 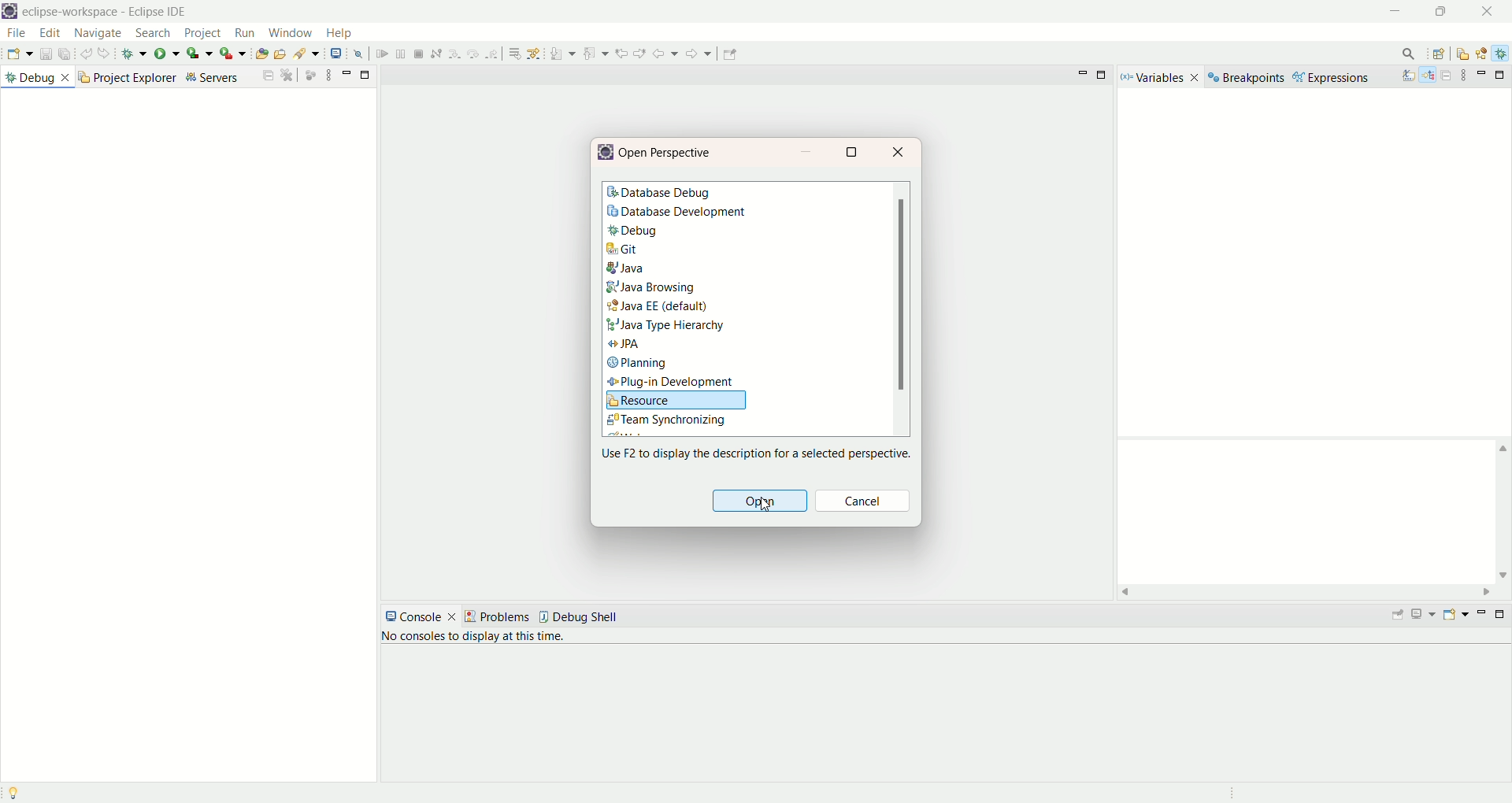 What do you see at coordinates (668, 153) in the screenshot?
I see `open perspective` at bounding box center [668, 153].